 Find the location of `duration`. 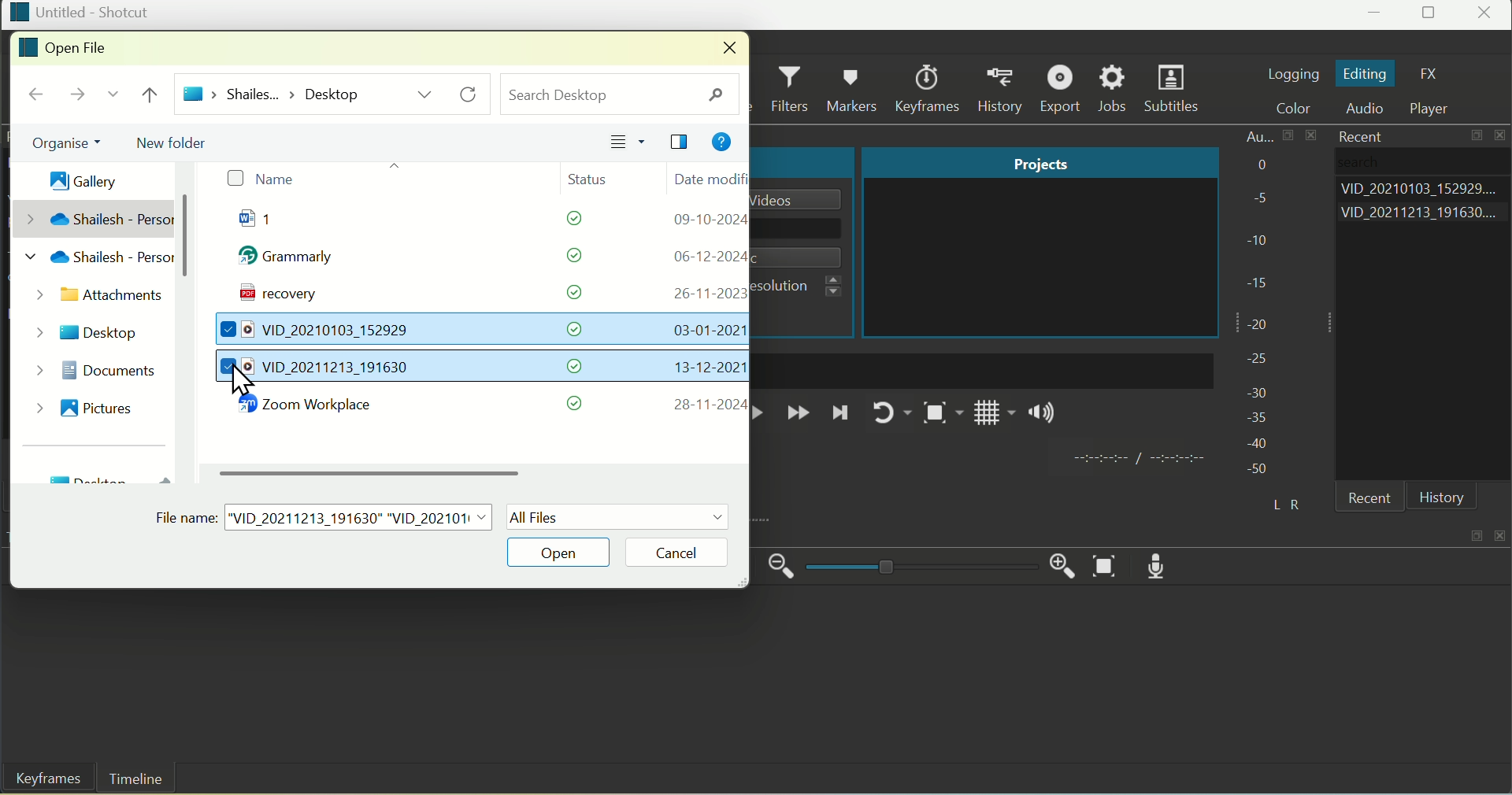

duration is located at coordinates (1136, 460).